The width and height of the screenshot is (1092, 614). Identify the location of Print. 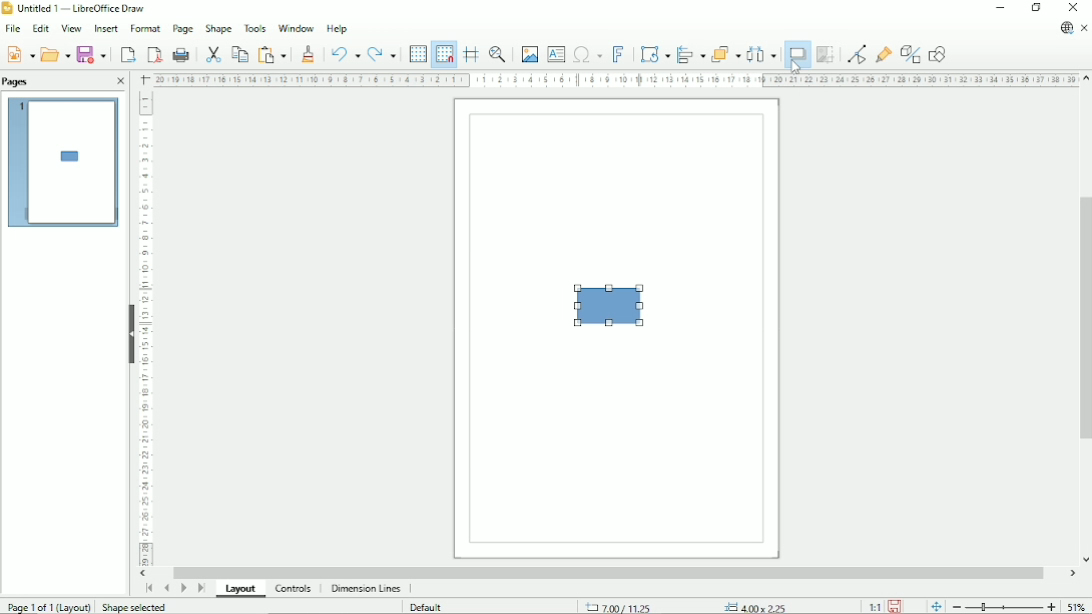
(182, 56).